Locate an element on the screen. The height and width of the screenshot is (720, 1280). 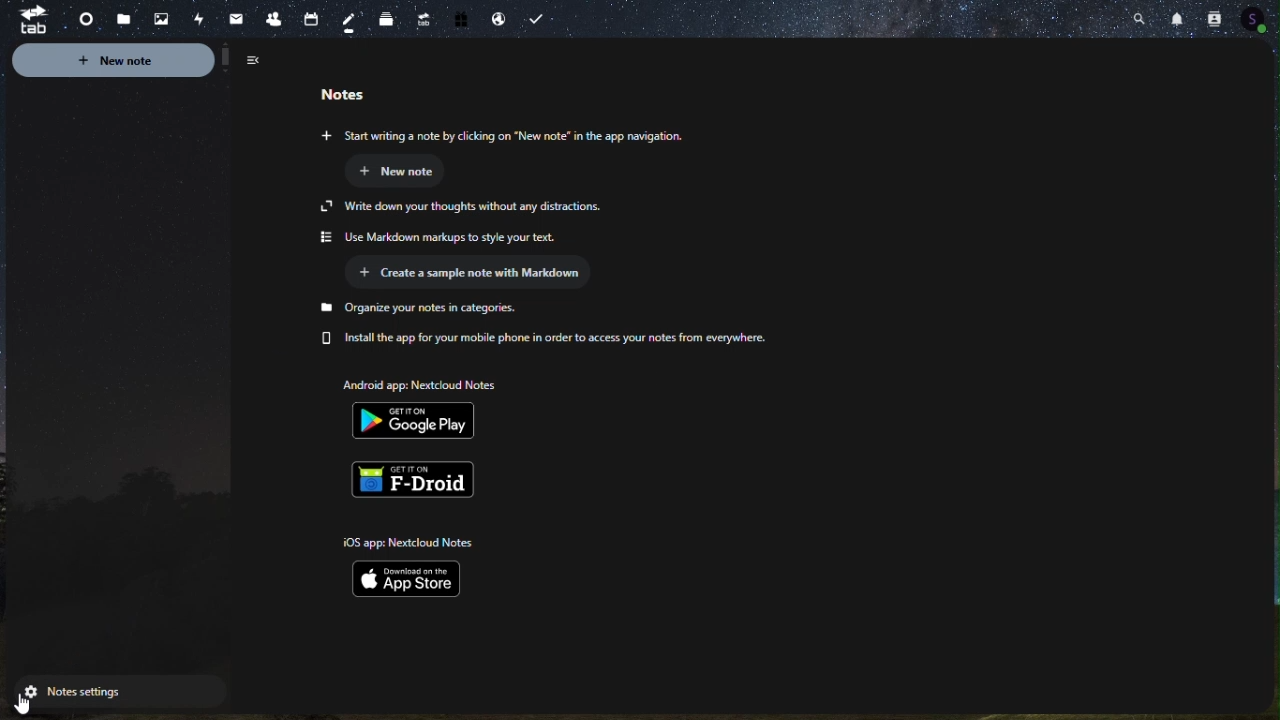
Contact is located at coordinates (1214, 15).